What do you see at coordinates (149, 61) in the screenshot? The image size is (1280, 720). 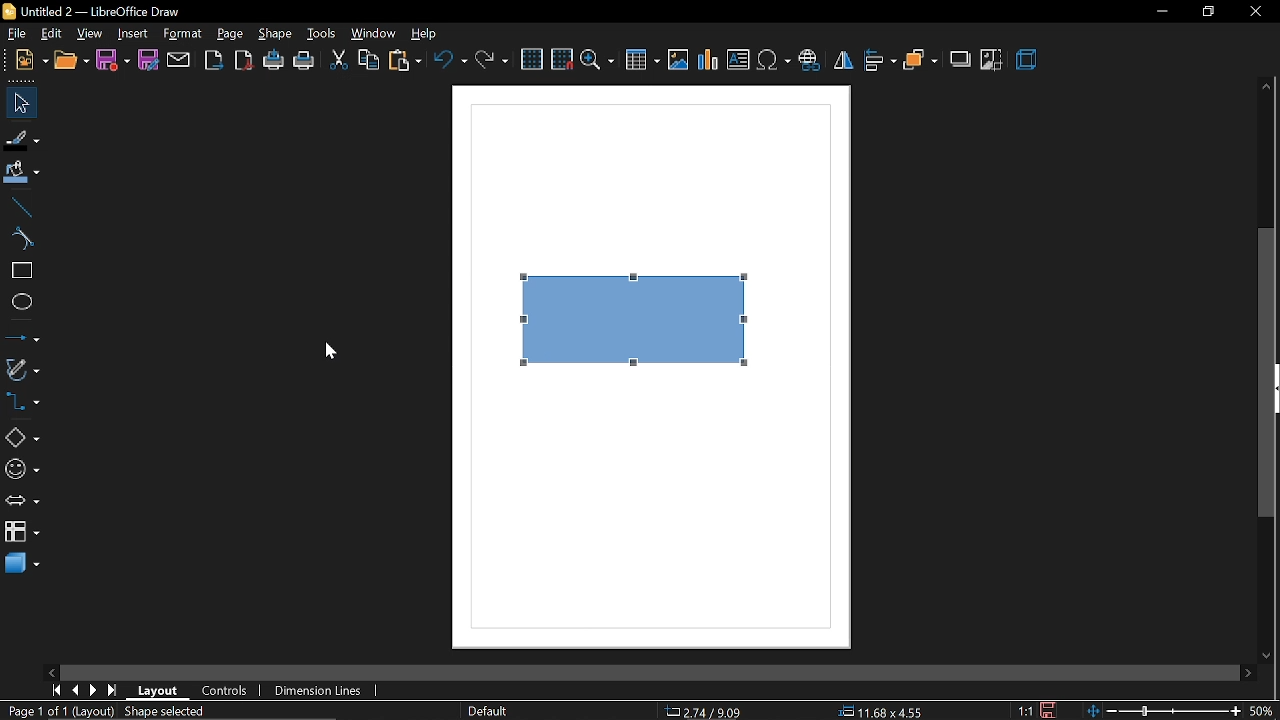 I see `save as` at bounding box center [149, 61].